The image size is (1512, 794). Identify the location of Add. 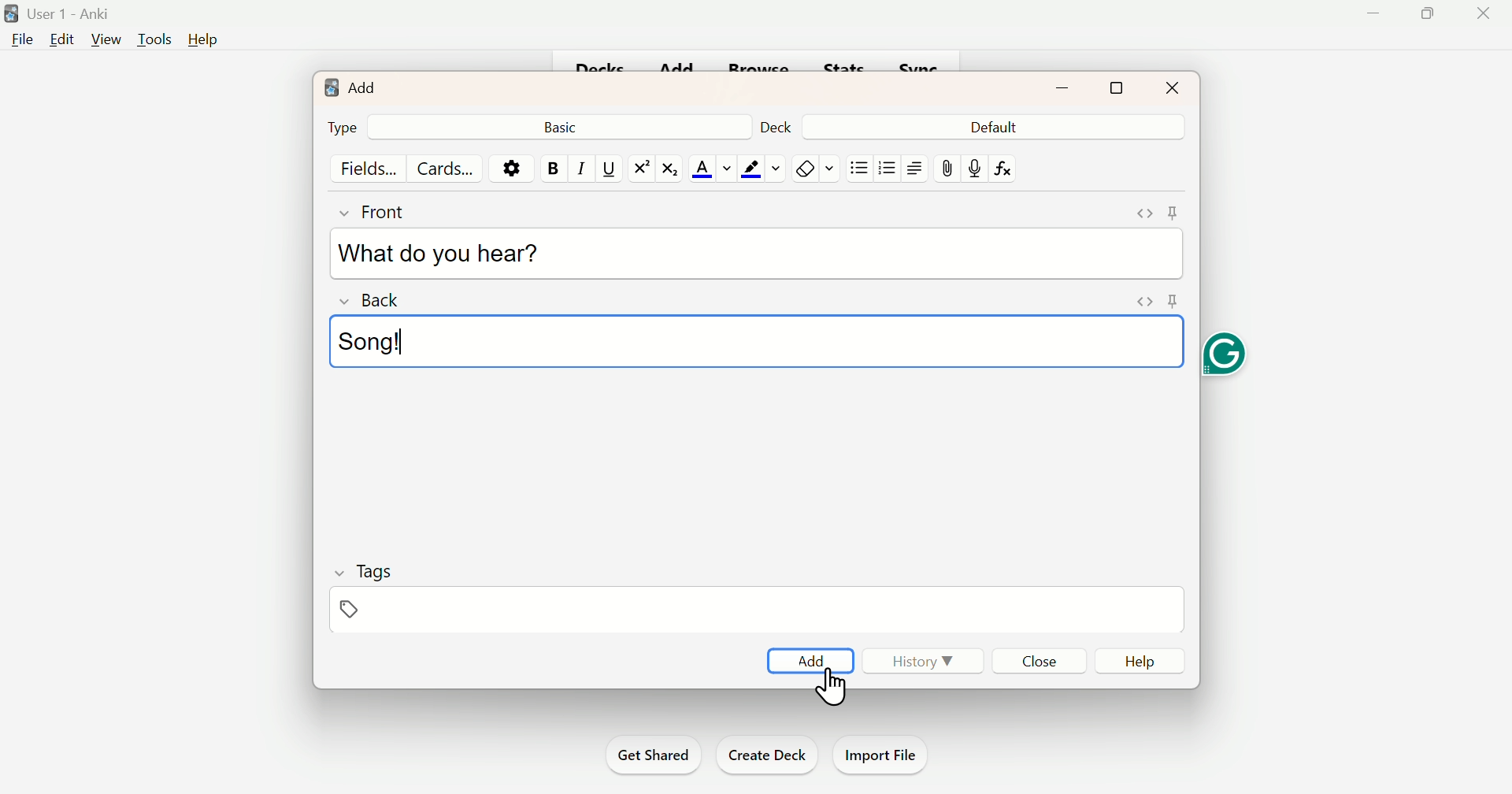
(806, 659).